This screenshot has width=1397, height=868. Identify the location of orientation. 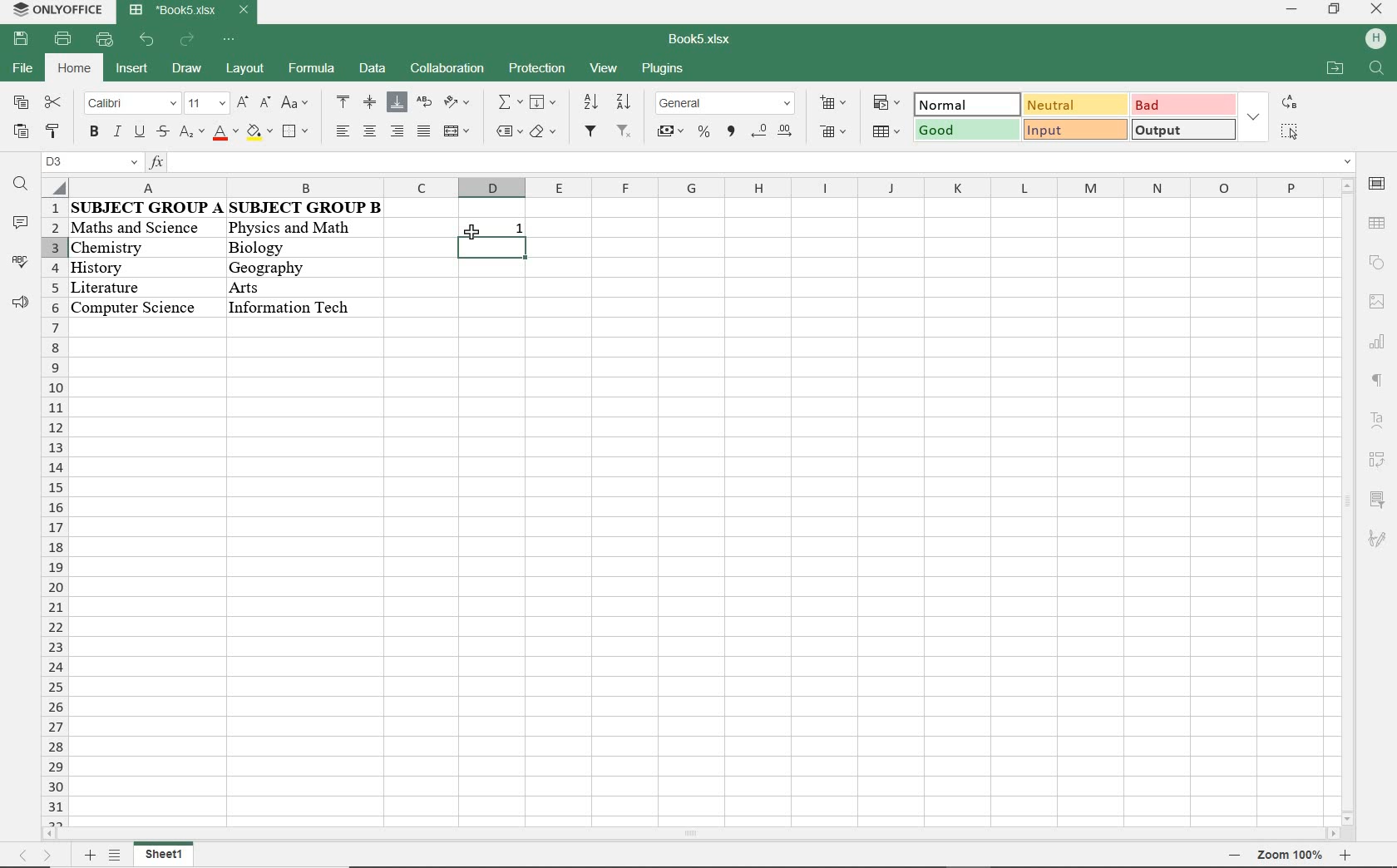
(457, 103).